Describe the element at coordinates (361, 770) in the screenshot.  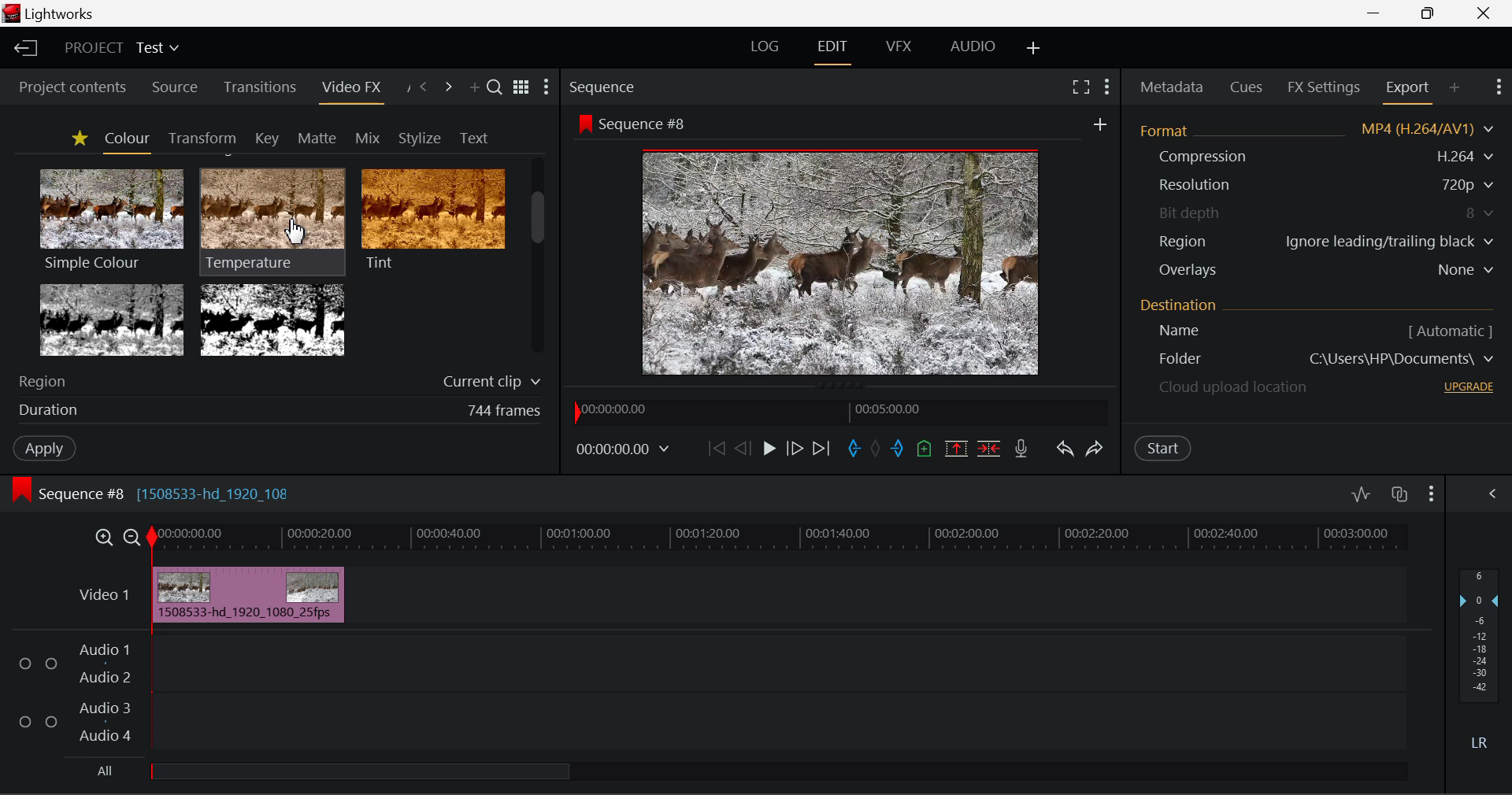
I see `all Audio` at that location.